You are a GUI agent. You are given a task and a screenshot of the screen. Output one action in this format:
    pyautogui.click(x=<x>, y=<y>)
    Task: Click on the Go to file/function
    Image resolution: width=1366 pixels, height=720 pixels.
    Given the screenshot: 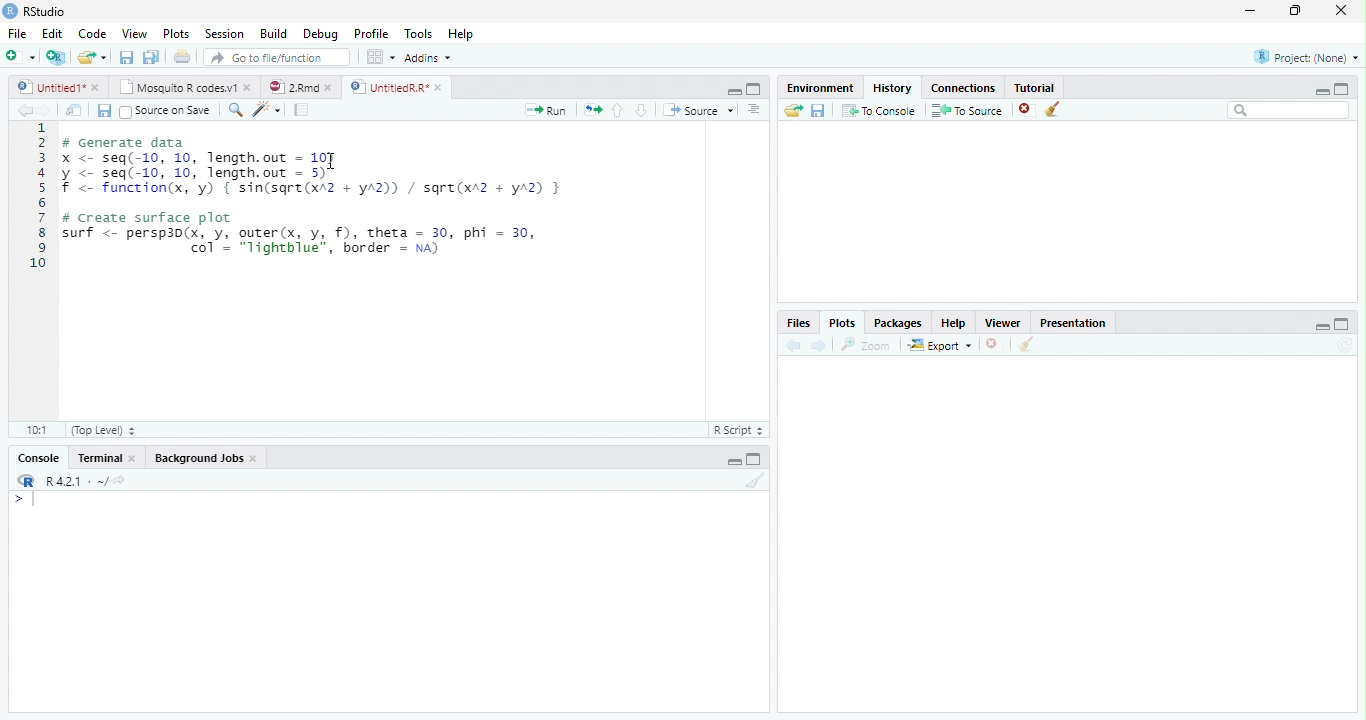 What is the action you would take?
    pyautogui.click(x=277, y=56)
    